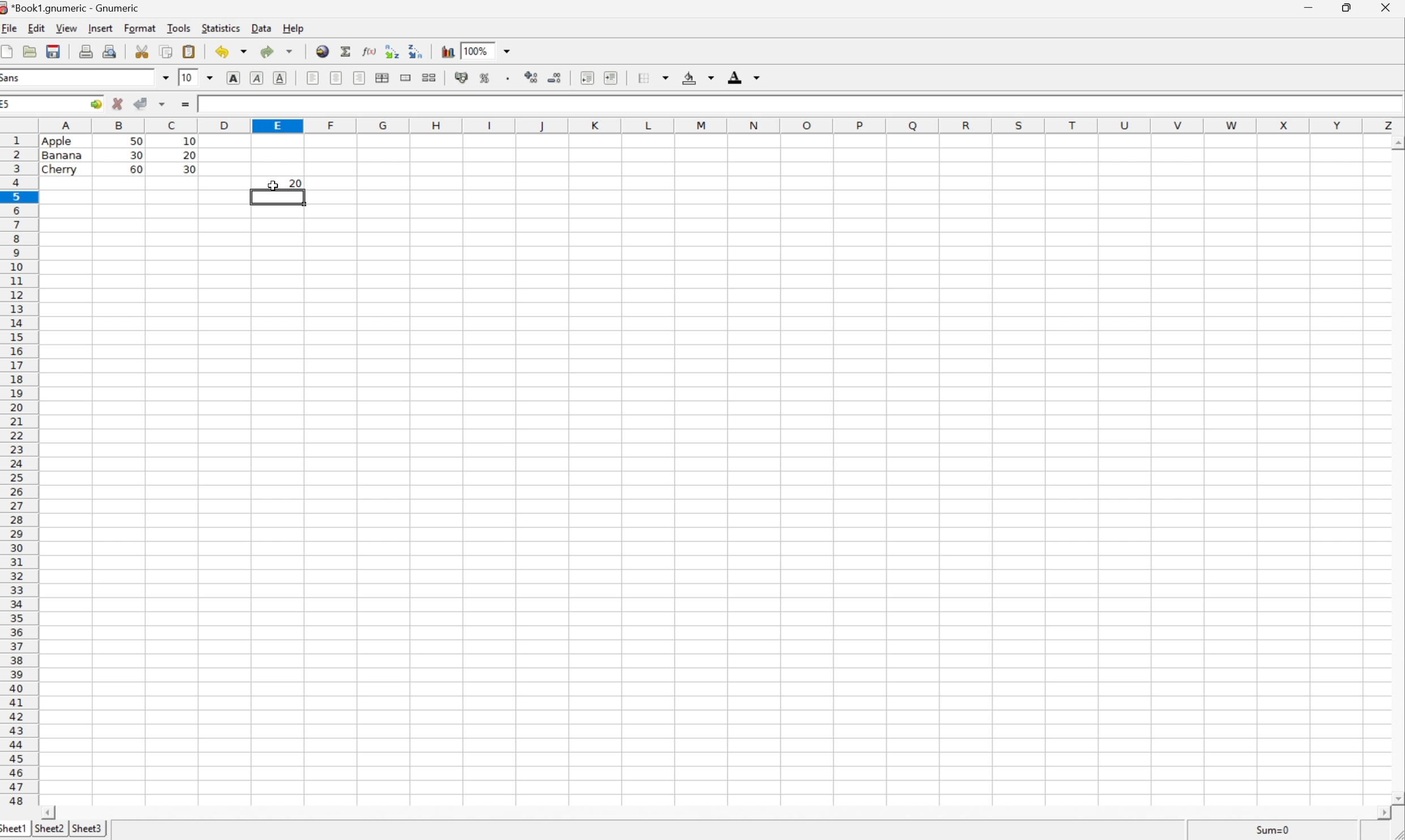  I want to click on insert, so click(103, 28).